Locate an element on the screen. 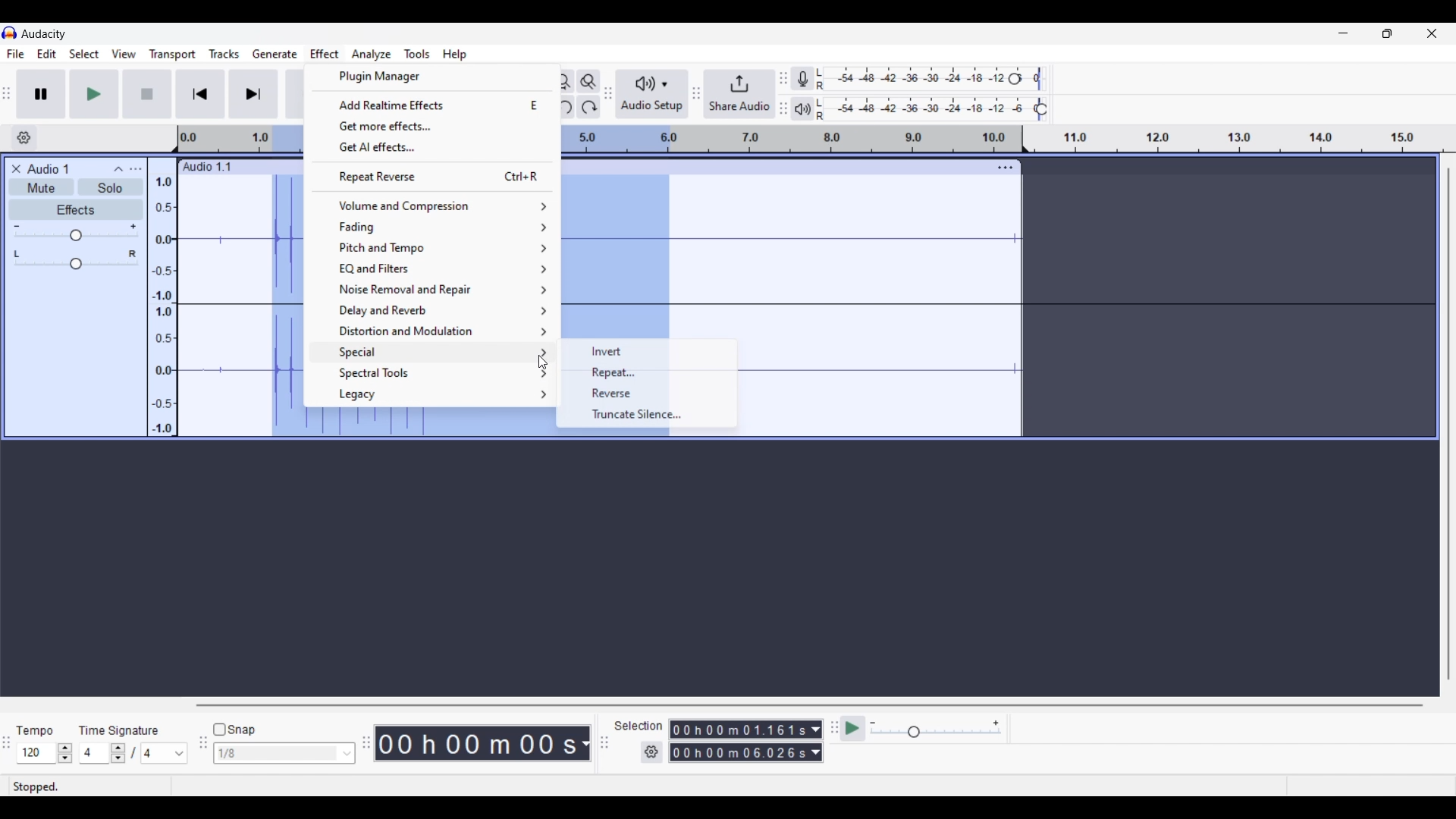  Play/Play once is located at coordinates (94, 93).